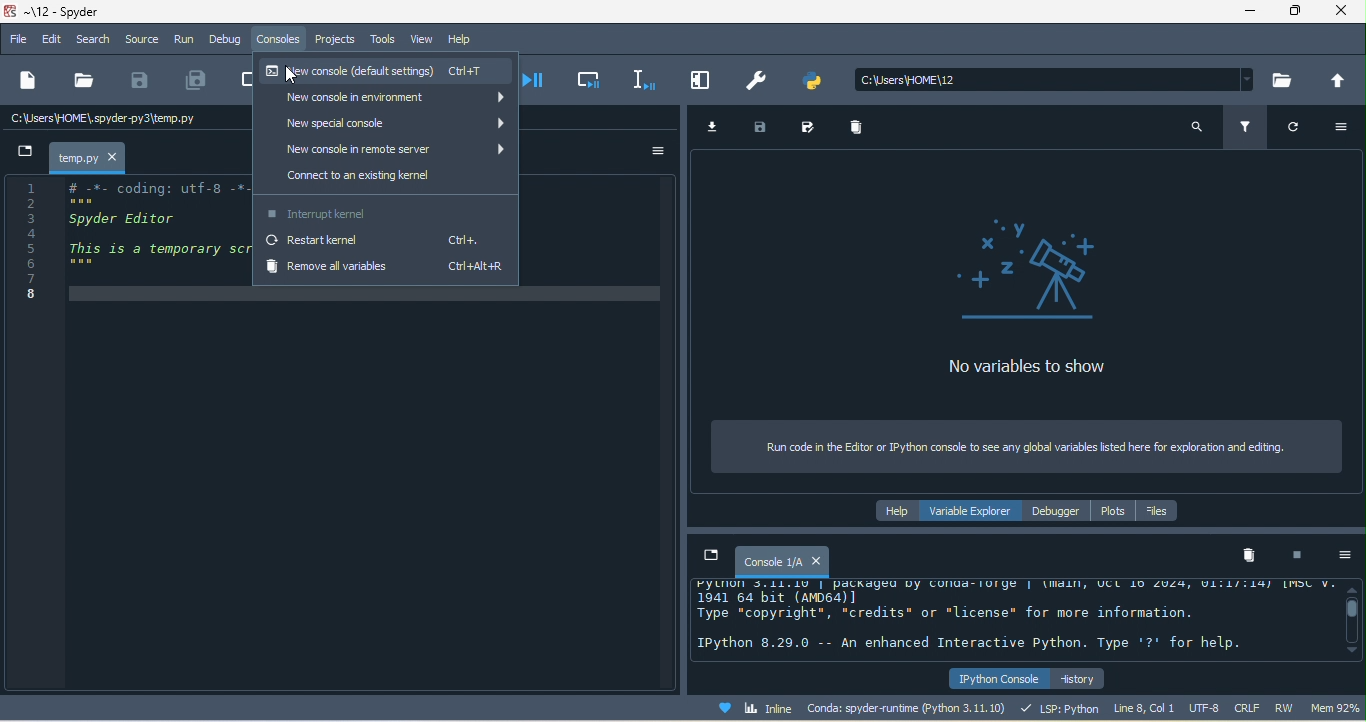  What do you see at coordinates (543, 84) in the screenshot?
I see `debug file` at bounding box center [543, 84].